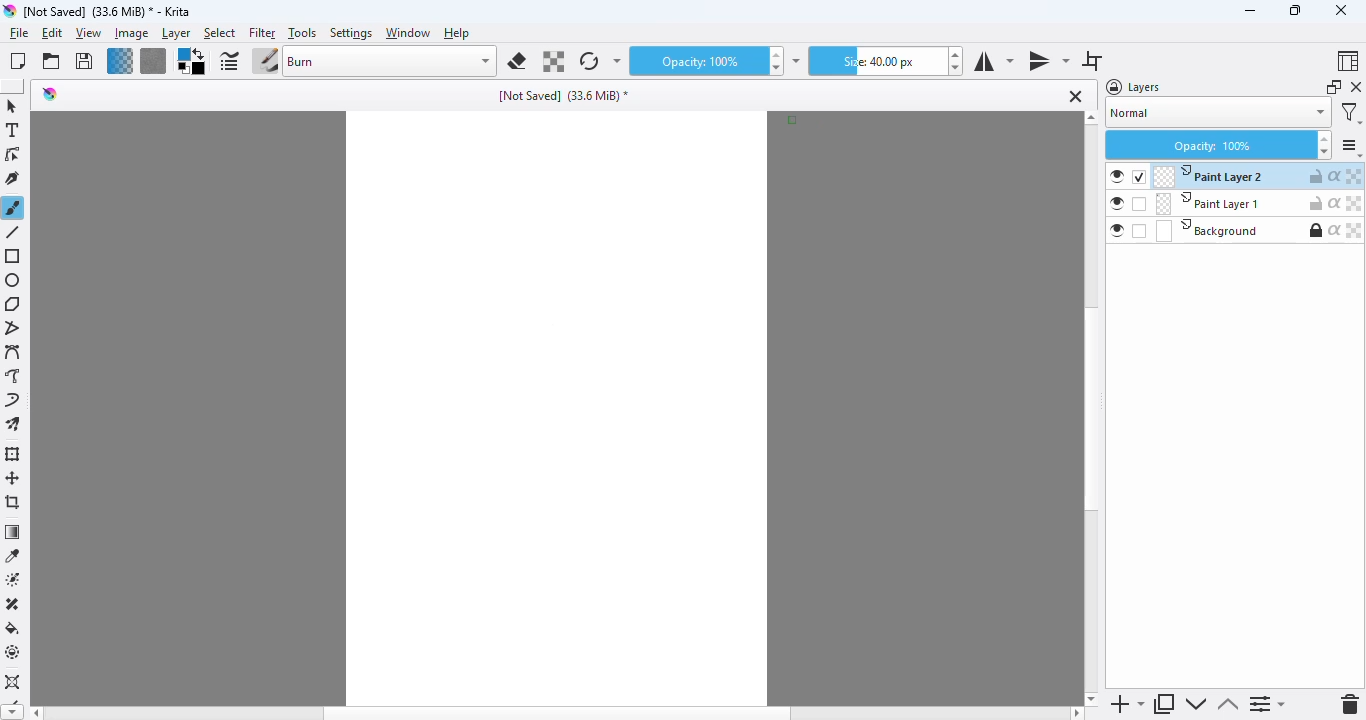 The height and width of the screenshot is (720, 1366). Describe the element at coordinates (1218, 114) in the screenshot. I see `blending mode` at that location.